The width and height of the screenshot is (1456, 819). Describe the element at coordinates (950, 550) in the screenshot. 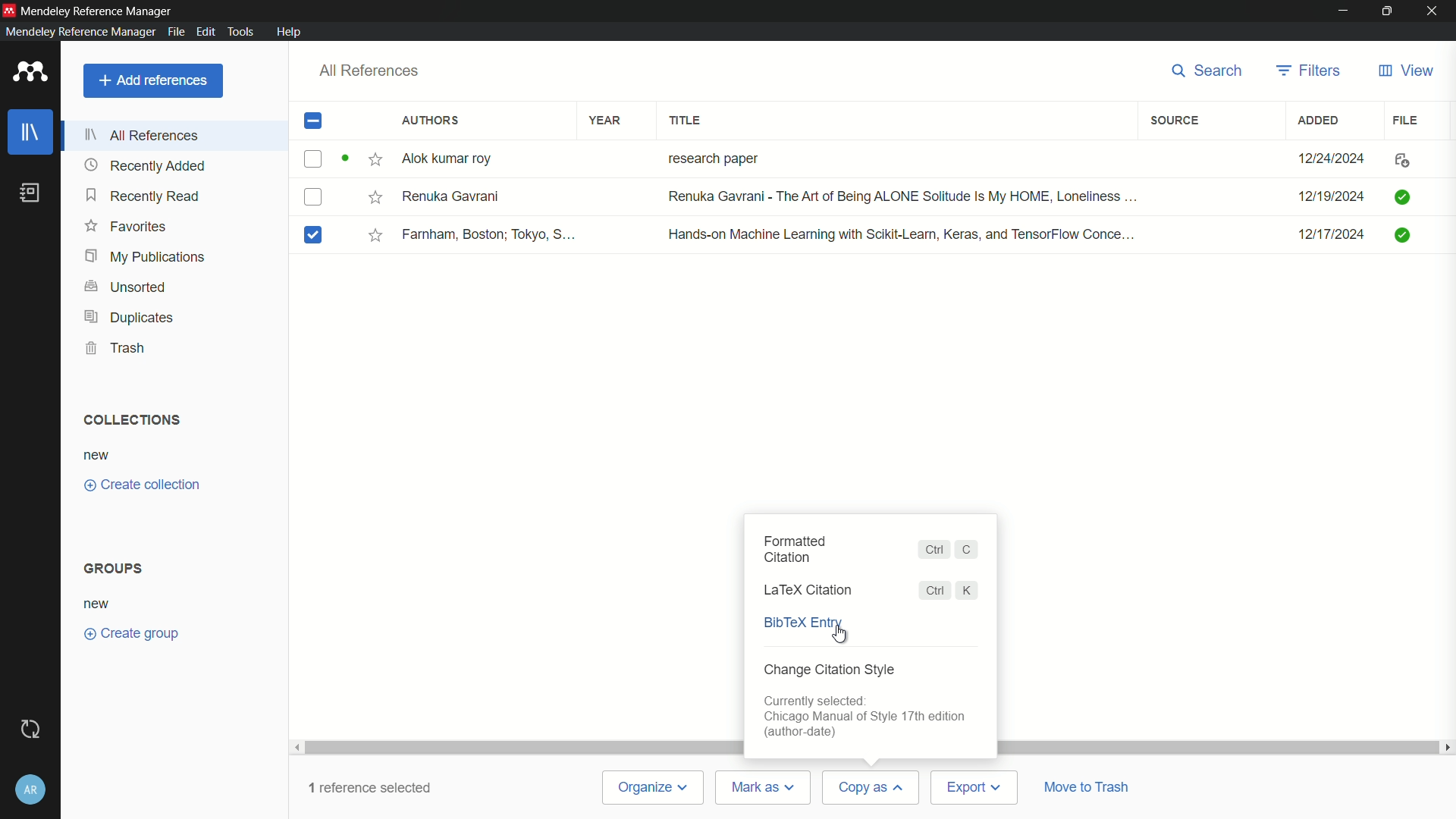

I see `keyboard shortcut (Ctrl C)` at that location.